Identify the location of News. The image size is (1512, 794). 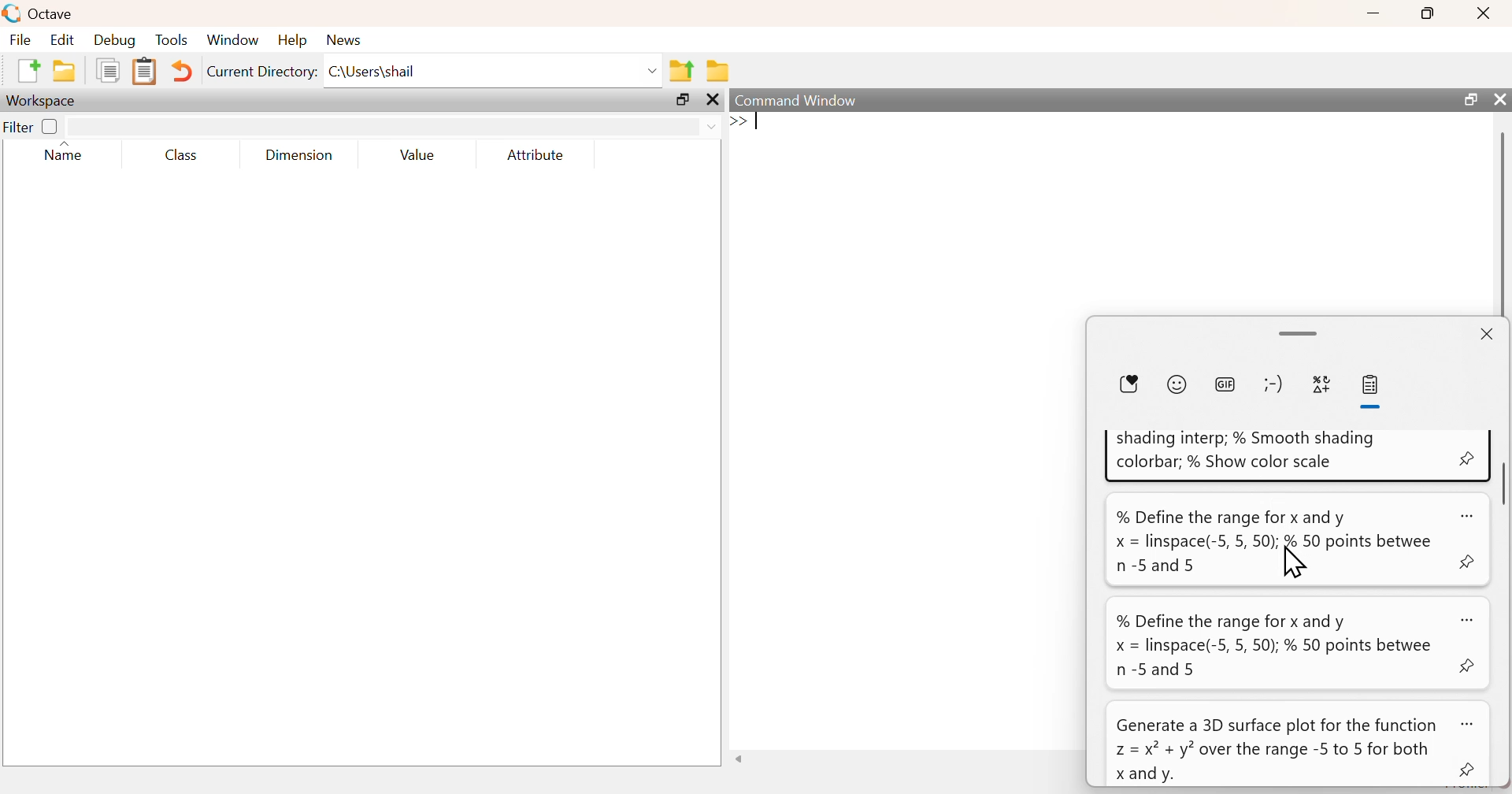
(346, 40).